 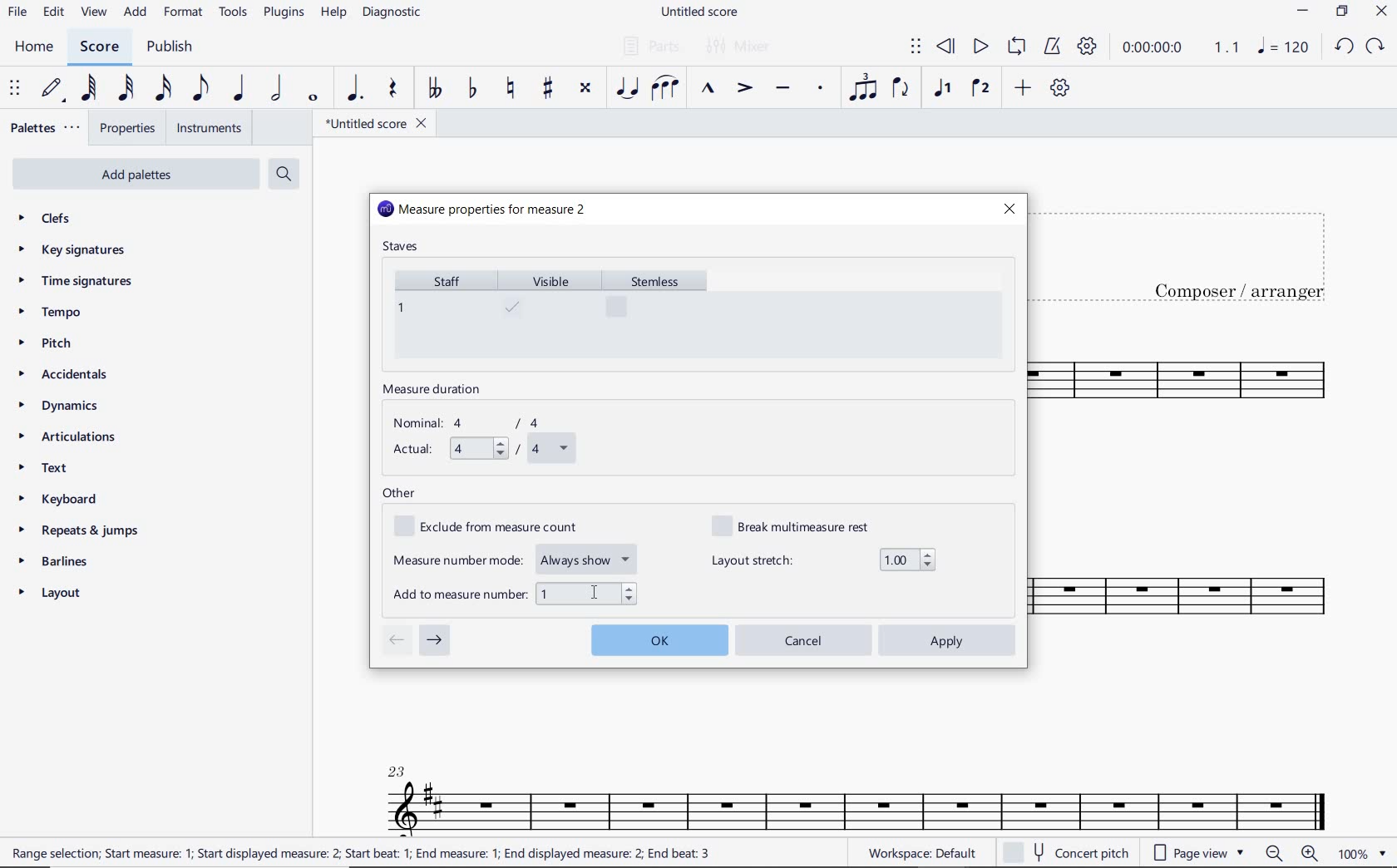 I want to click on 64TH NOTE, so click(x=91, y=89).